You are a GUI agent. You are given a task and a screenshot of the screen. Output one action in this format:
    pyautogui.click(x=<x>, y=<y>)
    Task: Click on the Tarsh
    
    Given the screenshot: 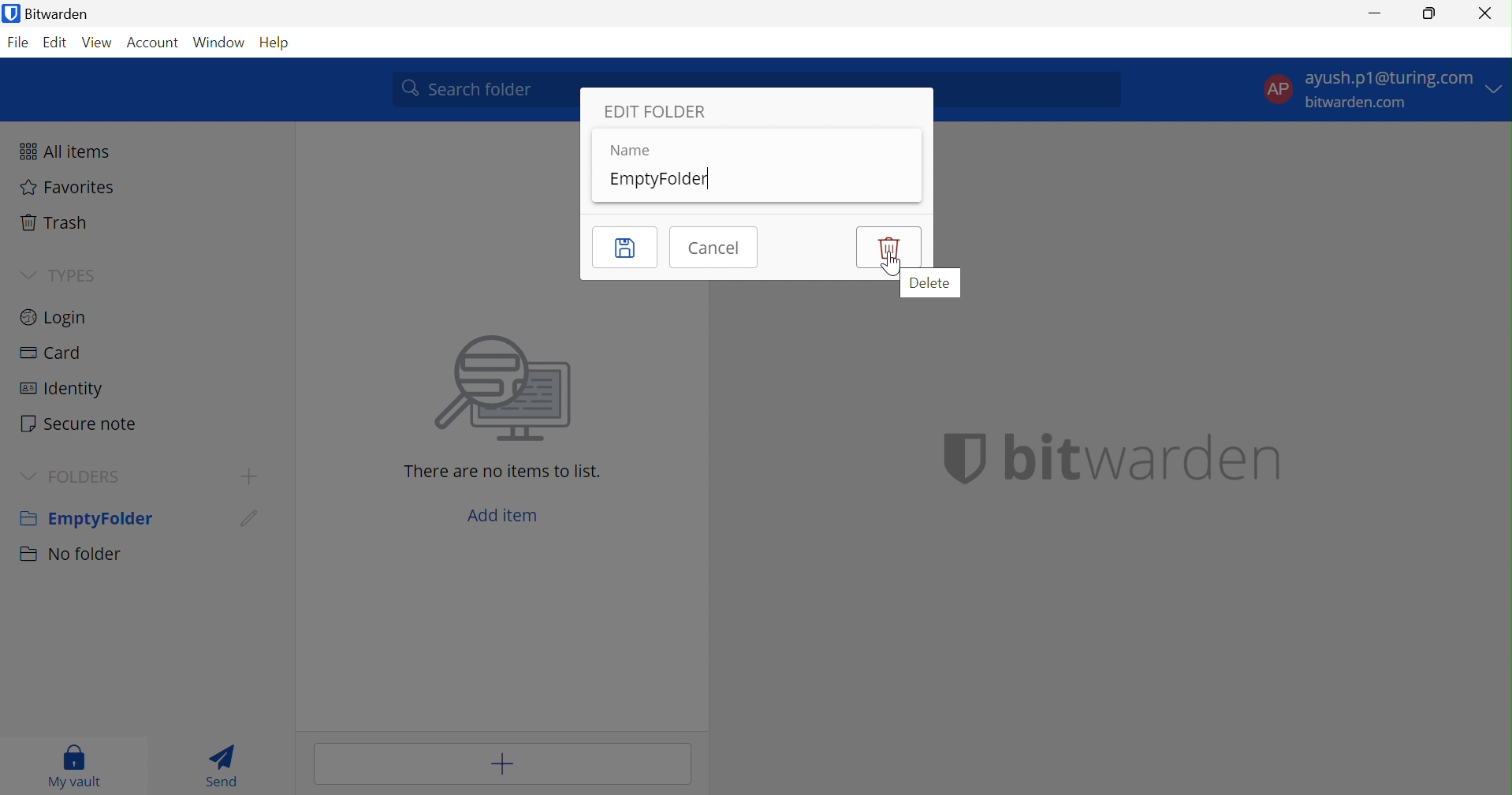 What is the action you would take?
    pyautogui.click(x=59, y=222)
    